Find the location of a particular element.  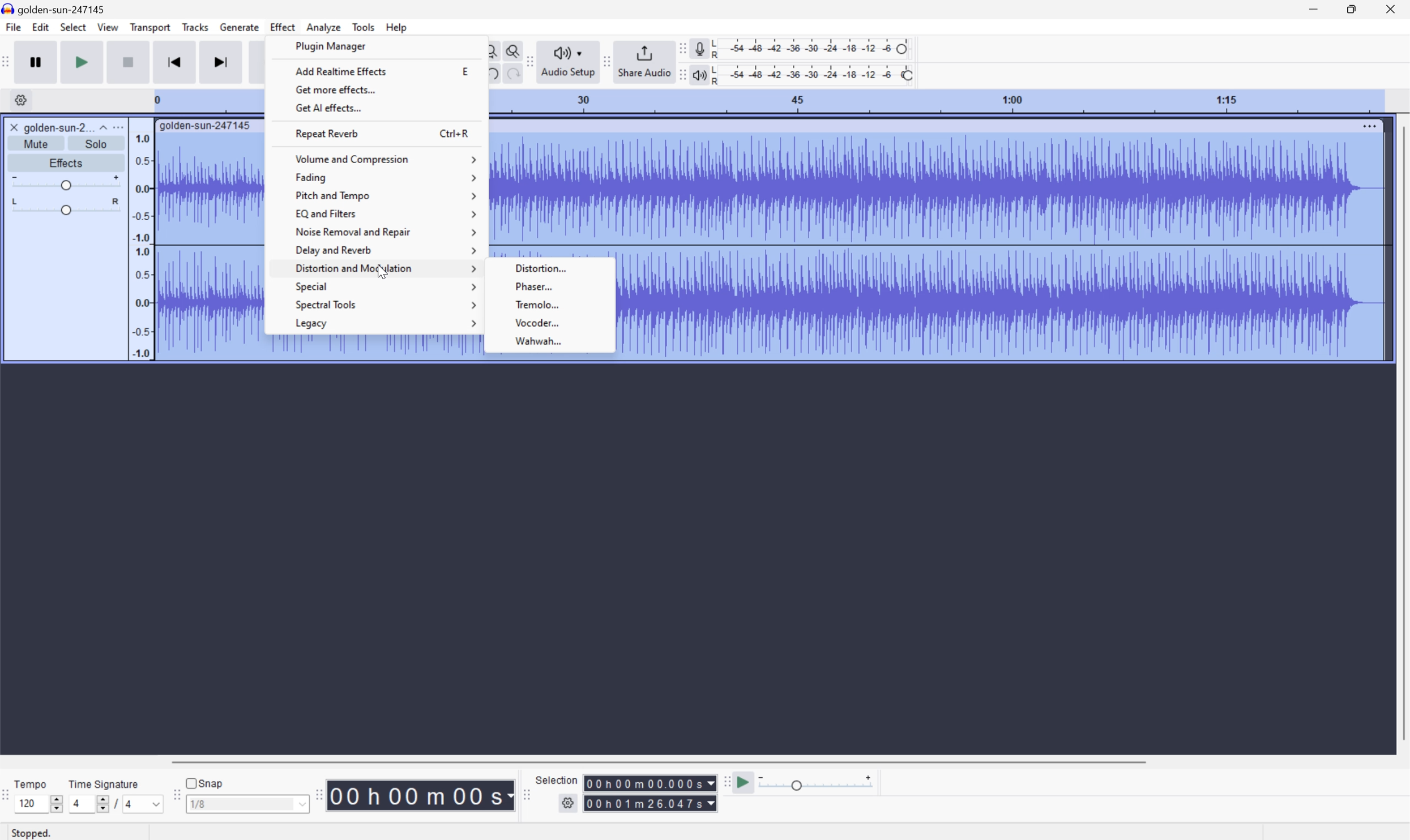

Mute is located at coordinates (36, 143).